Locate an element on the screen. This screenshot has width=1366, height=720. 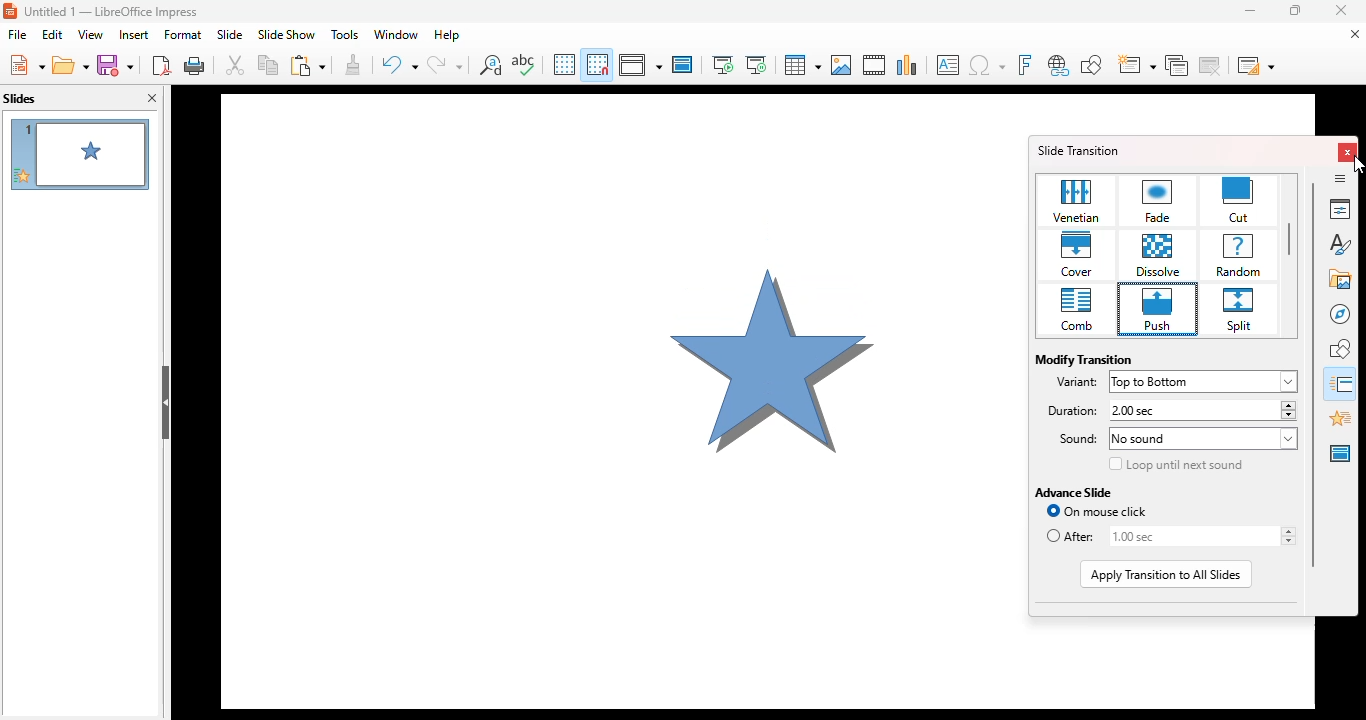
sound: no sound is located at coordinates (1203, 439).